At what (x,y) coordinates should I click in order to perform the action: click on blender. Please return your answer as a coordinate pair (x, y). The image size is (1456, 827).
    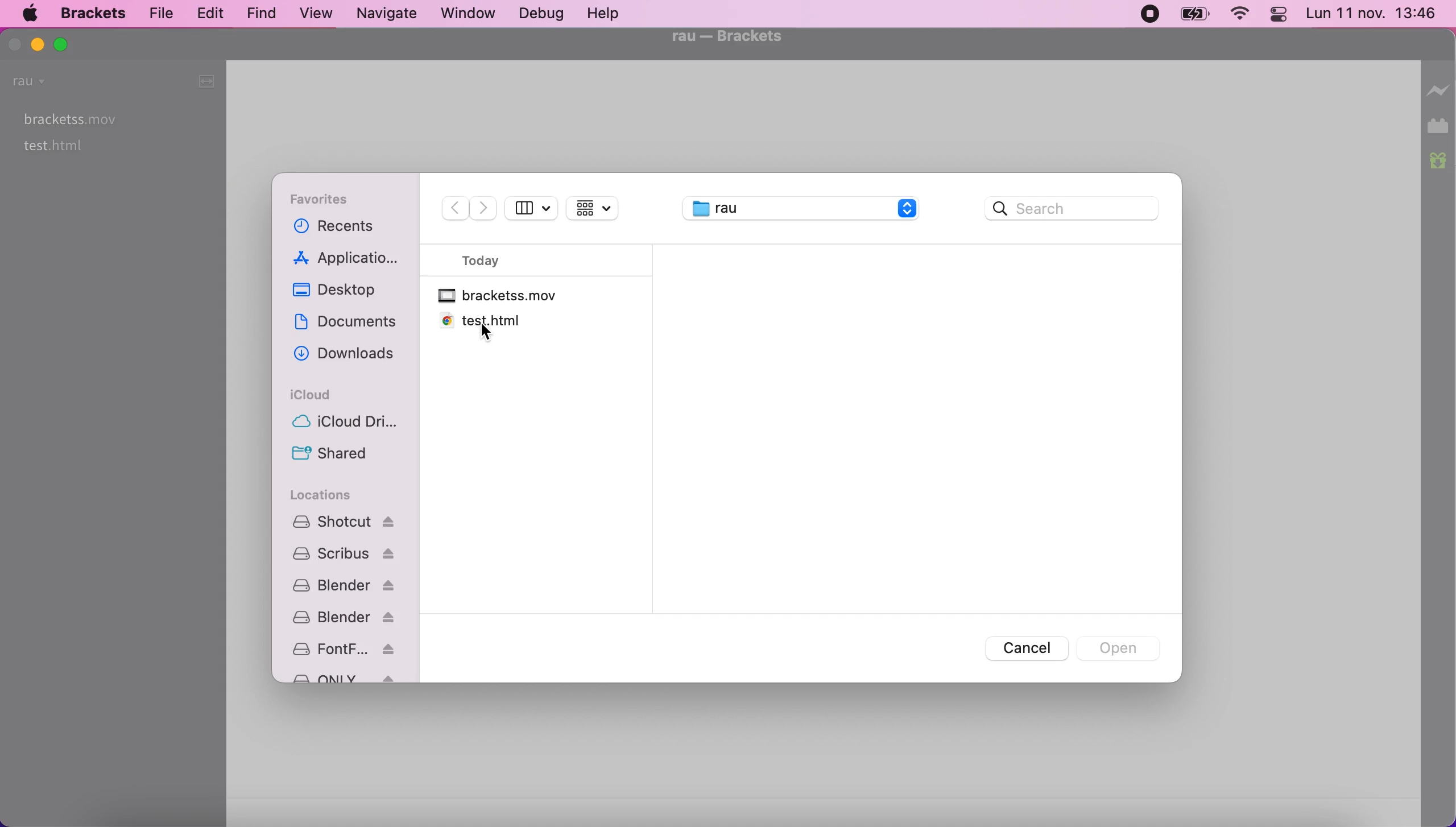
    Looking at the image, I should click on (349, 619).